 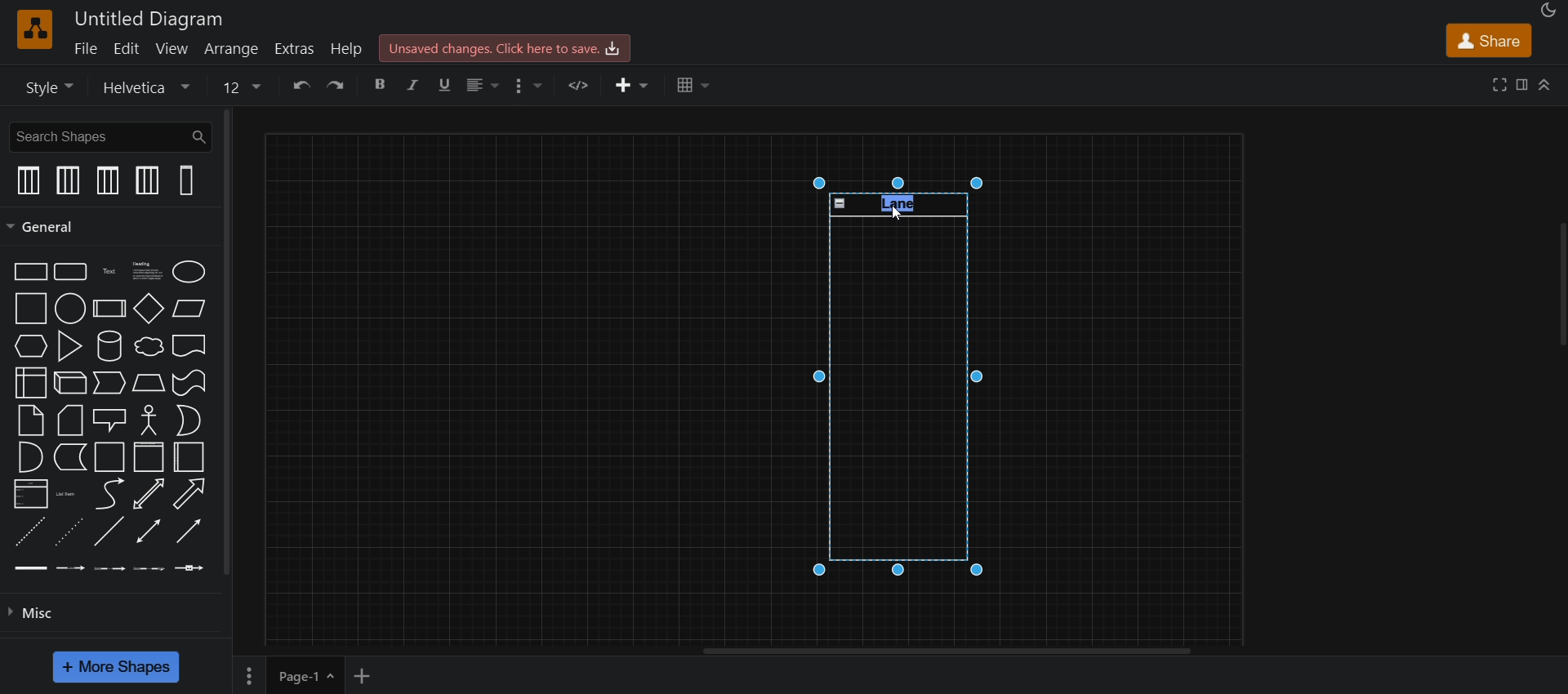 I want to click on line, so click(x=109, y=531).